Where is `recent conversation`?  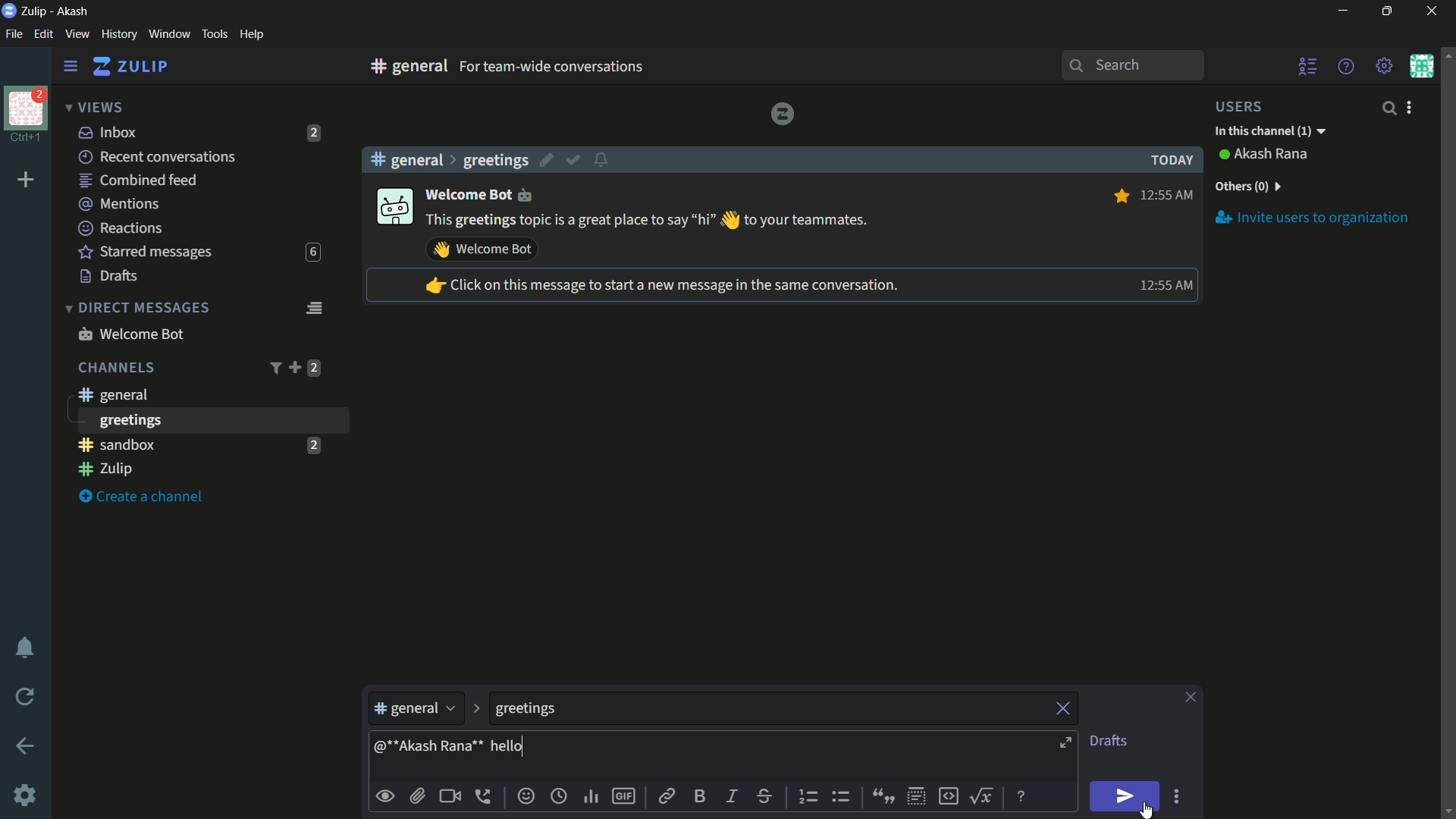 recent conversation is located at coordinates (158, 157).